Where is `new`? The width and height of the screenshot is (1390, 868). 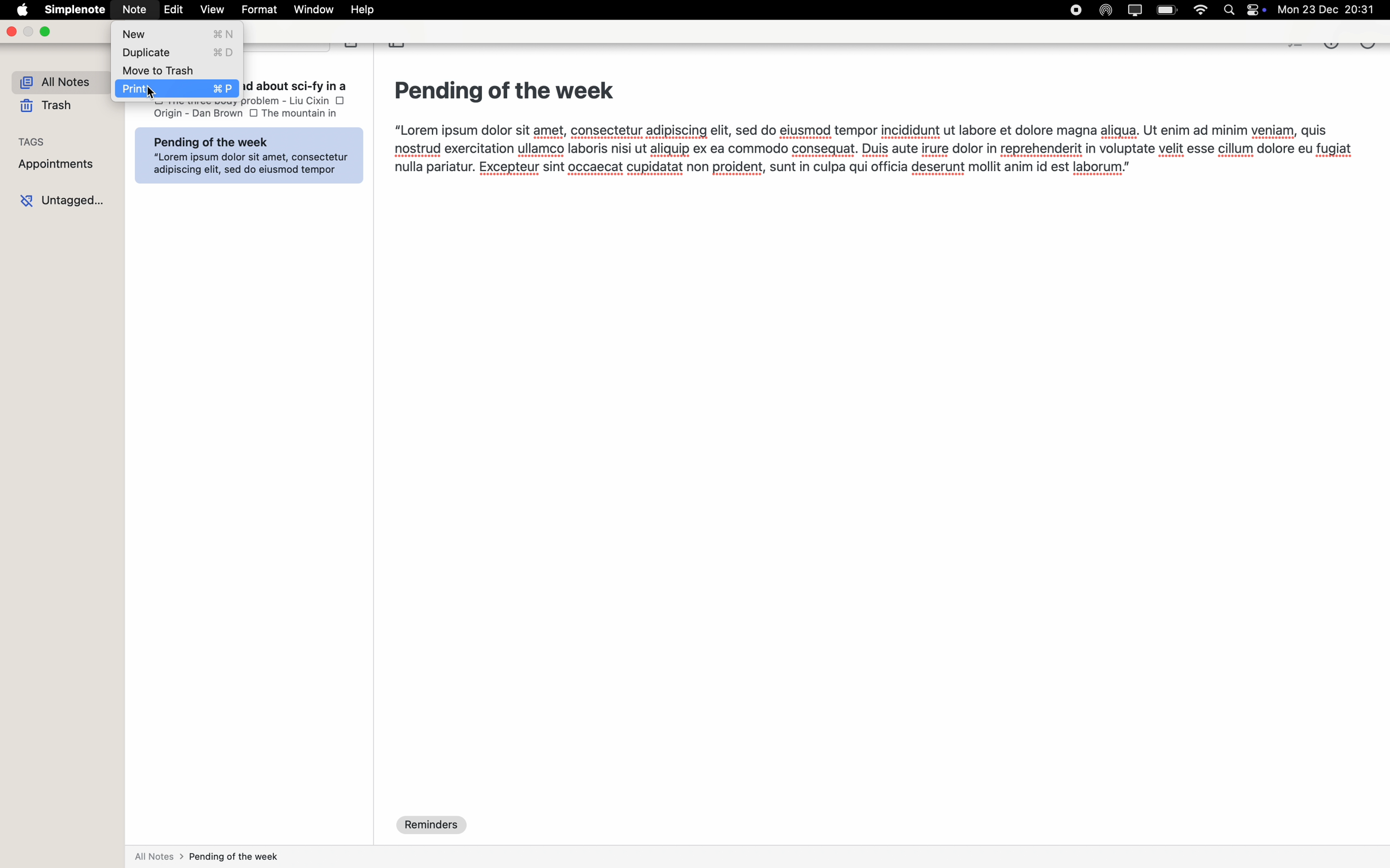 new is located at coordinates (176, 33).